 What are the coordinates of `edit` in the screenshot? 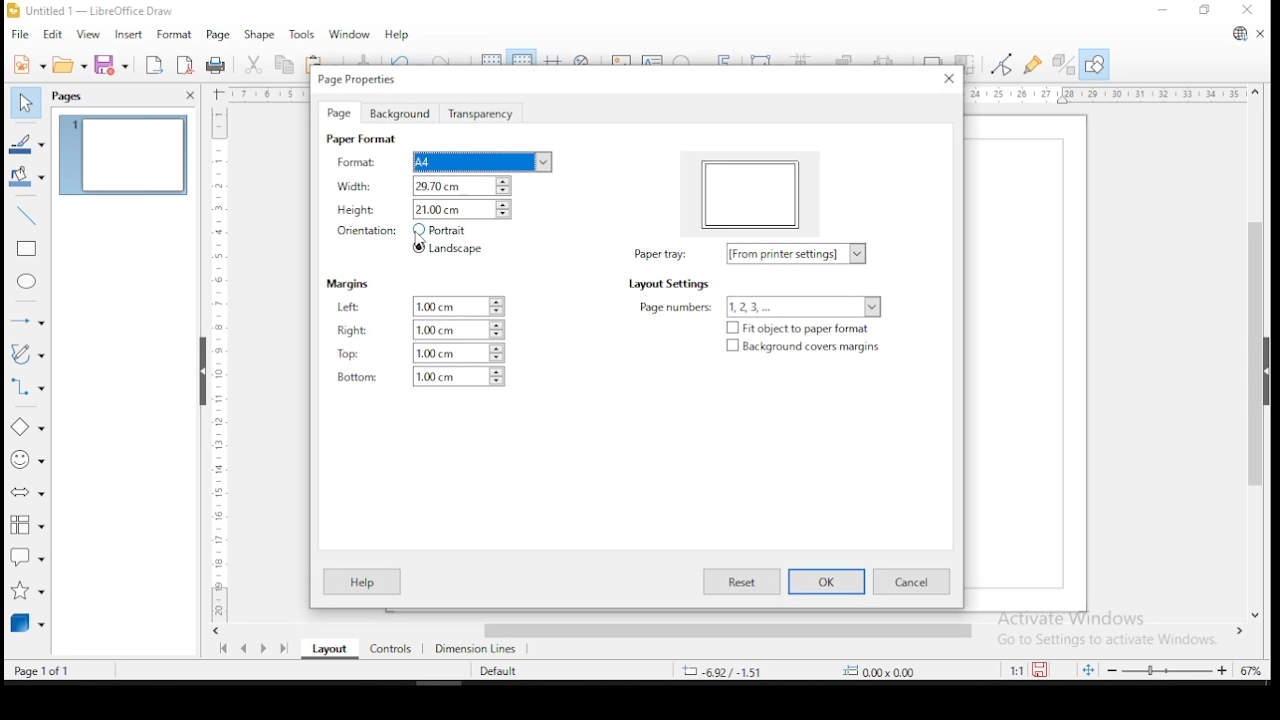 It's located at (55, 35).